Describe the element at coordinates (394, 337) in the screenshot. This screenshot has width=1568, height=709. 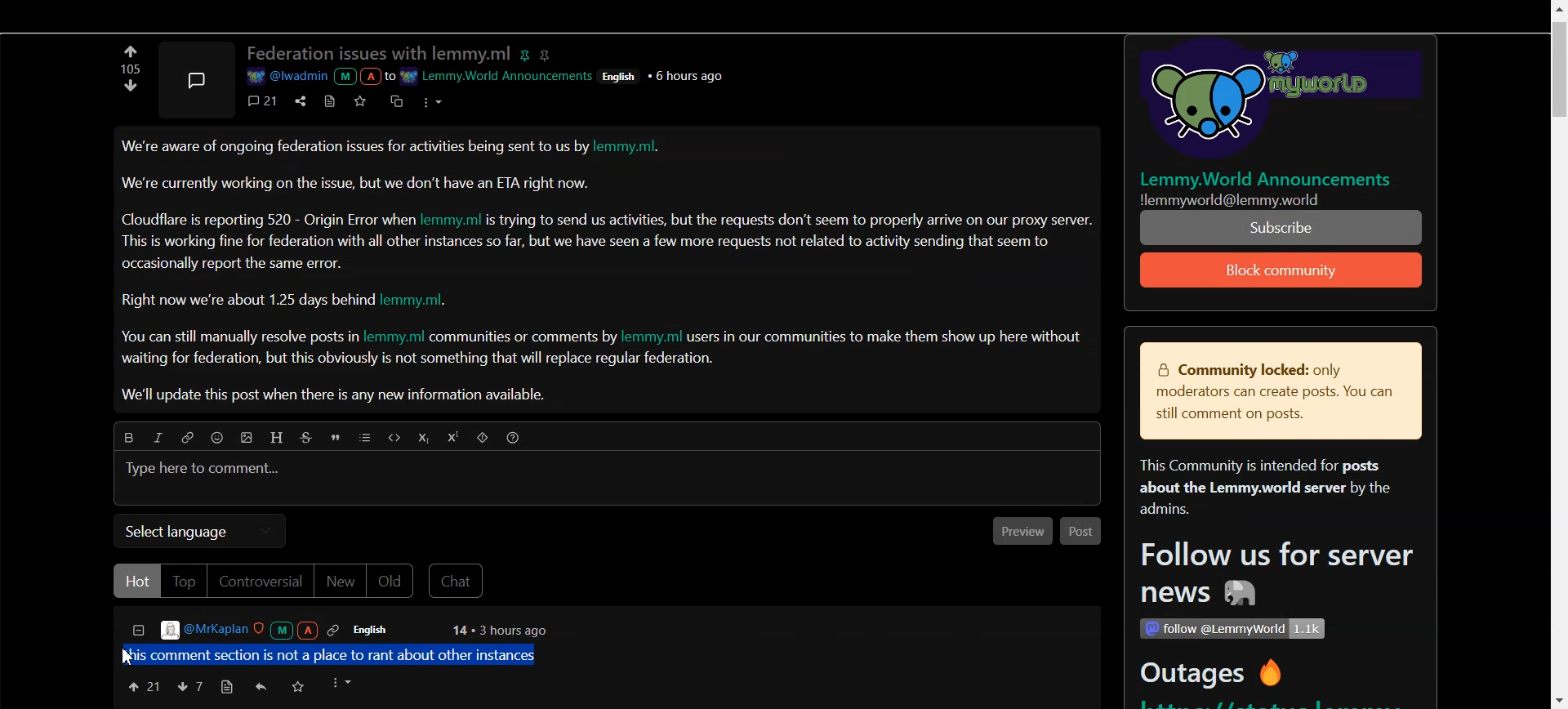
I see `lemmy.ml` at that location.